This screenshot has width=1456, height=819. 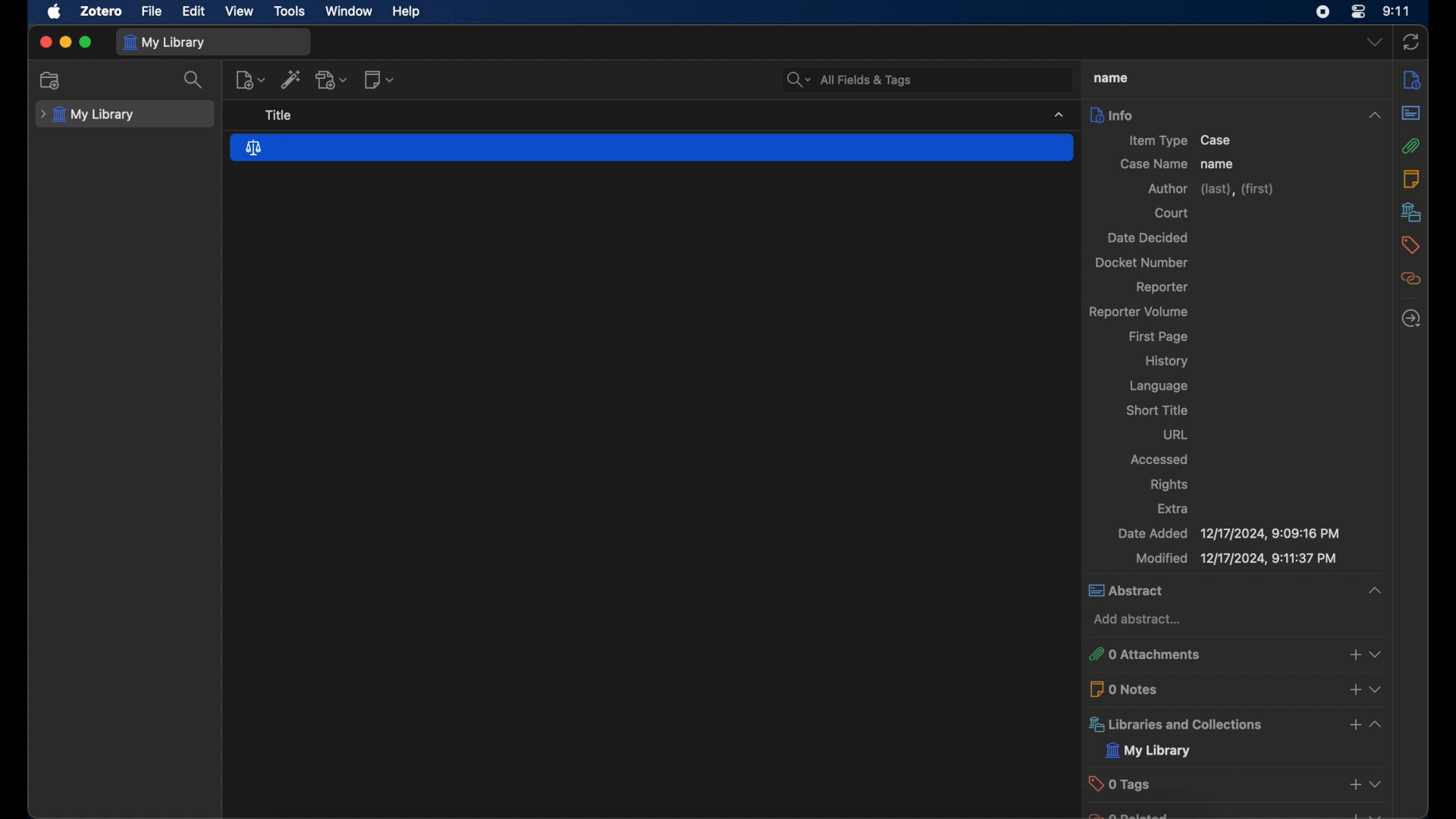 What do you see at coordinates (1141, 263) in the screenshot?
I see `docket number` at bounding box center [1141, 263].